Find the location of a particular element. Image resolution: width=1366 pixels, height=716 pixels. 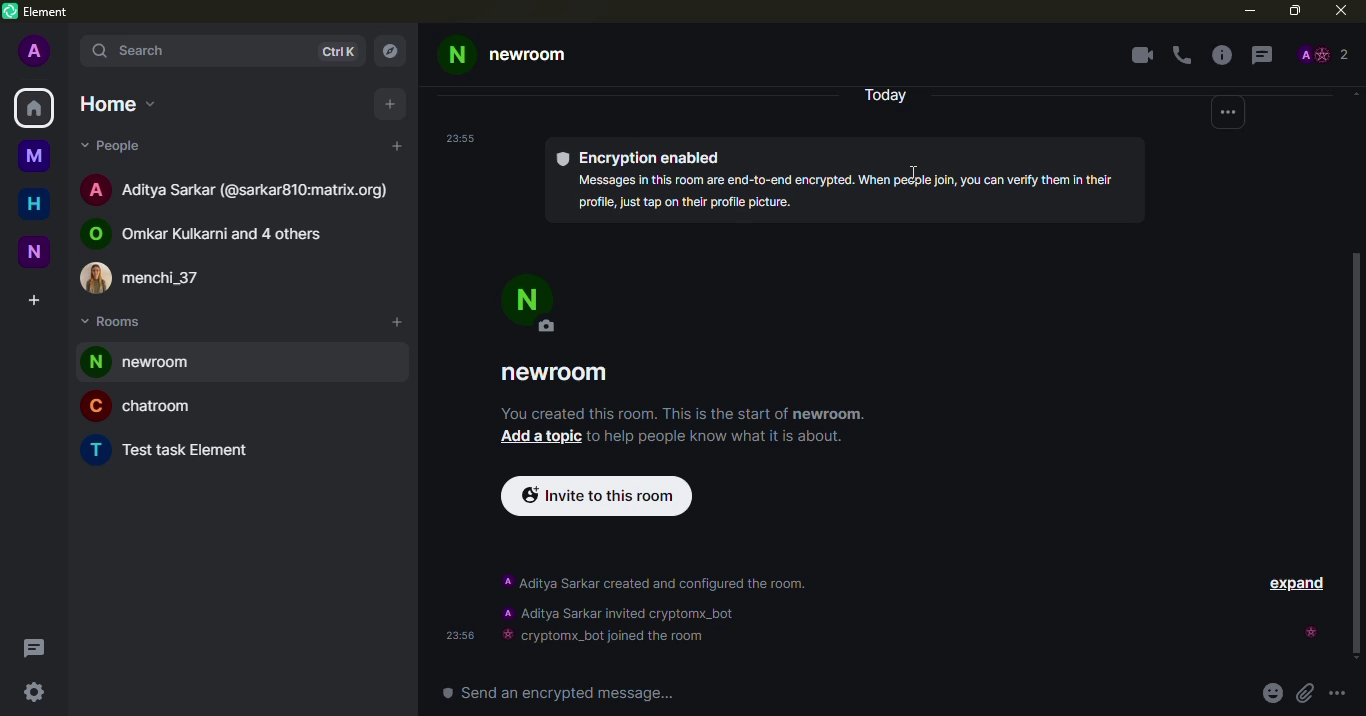

profile picture is located at coordinates (535, 305).